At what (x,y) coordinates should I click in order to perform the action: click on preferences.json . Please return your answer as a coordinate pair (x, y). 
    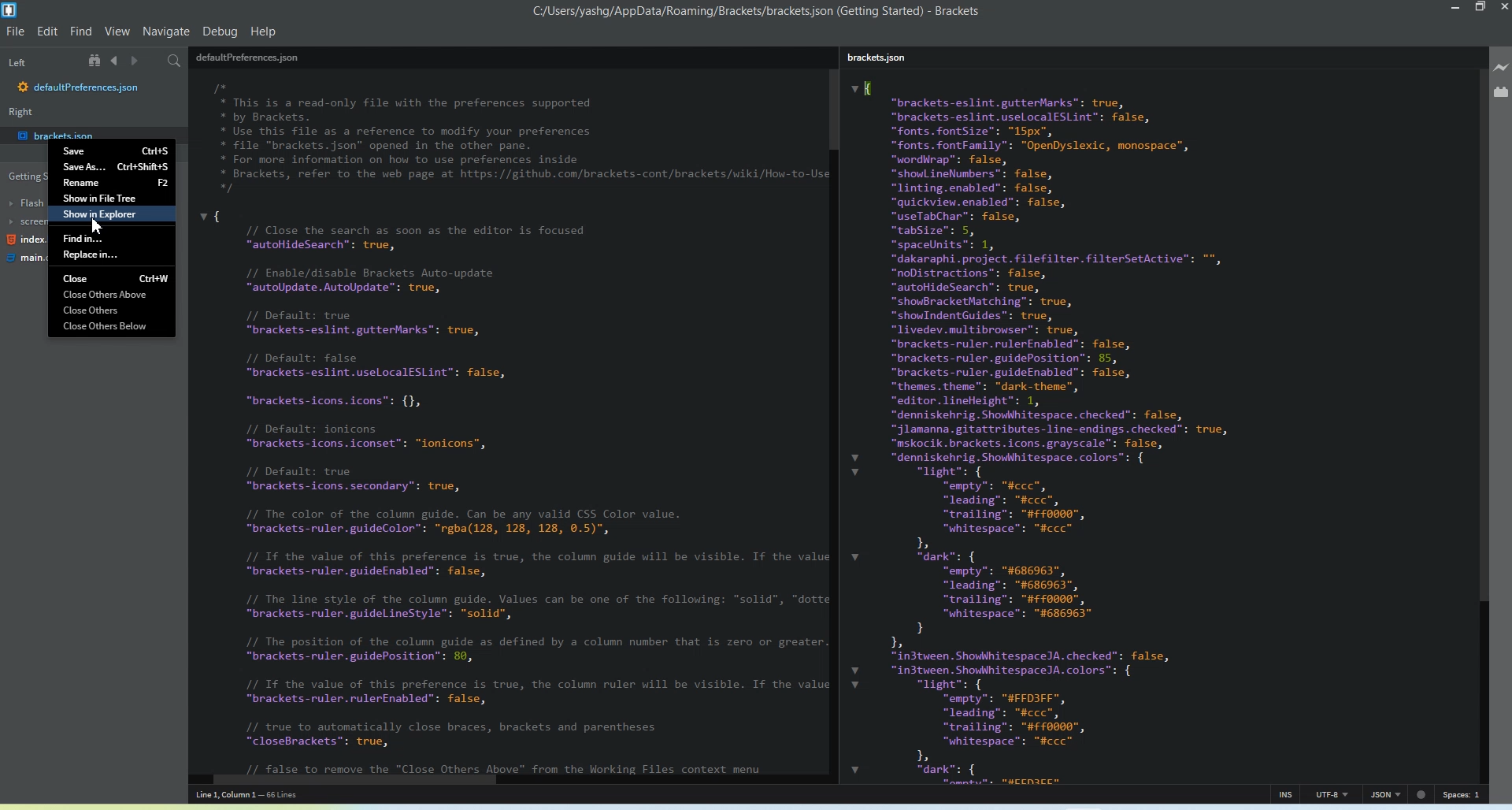
    Looking at the image, I should click on (250, 58).